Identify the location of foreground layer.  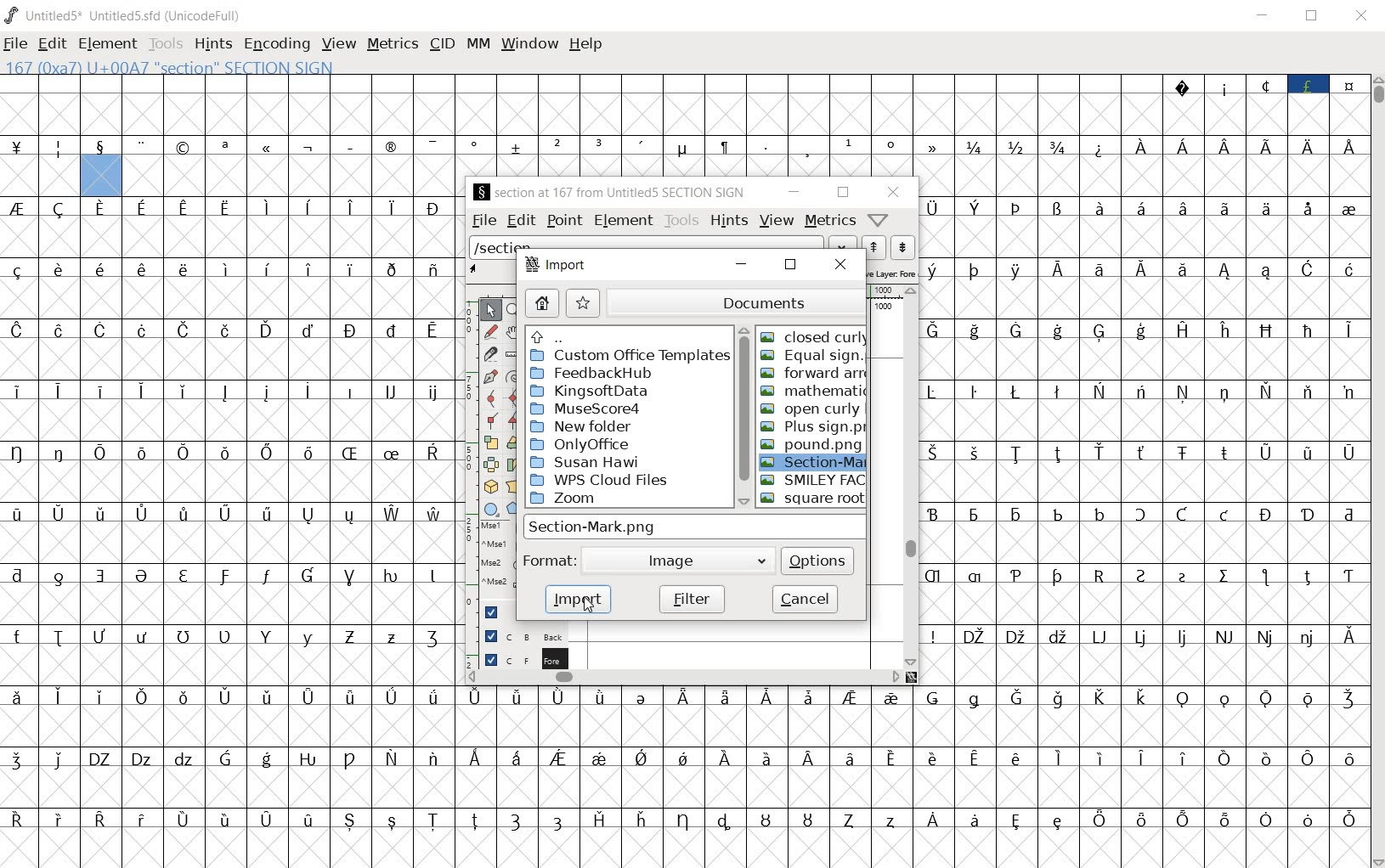
(524, 658).